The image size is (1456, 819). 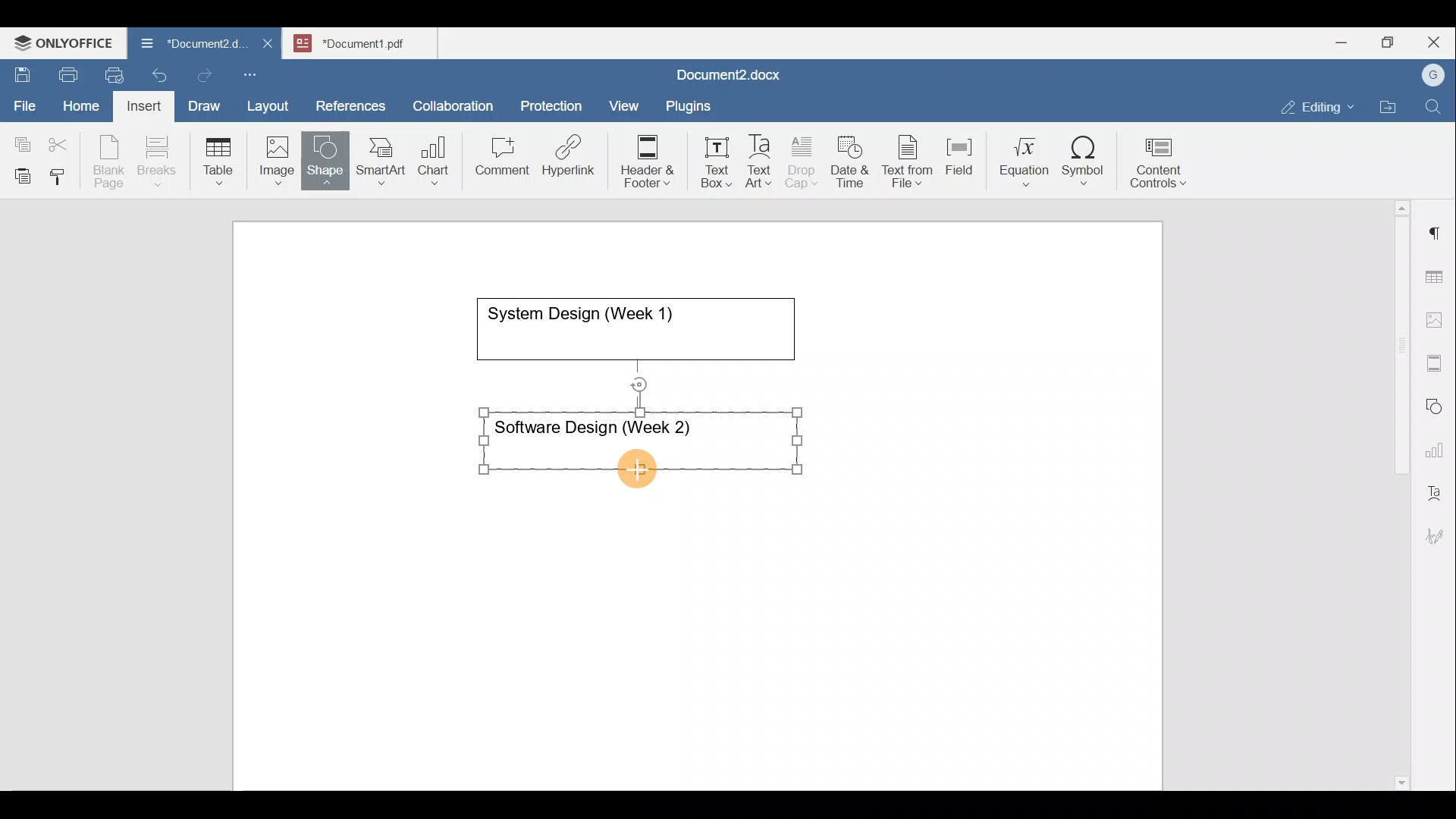 What do you see at coordinates (431, 162) in the screenshot?
I see `Chart` at bounding box center [431, 162].